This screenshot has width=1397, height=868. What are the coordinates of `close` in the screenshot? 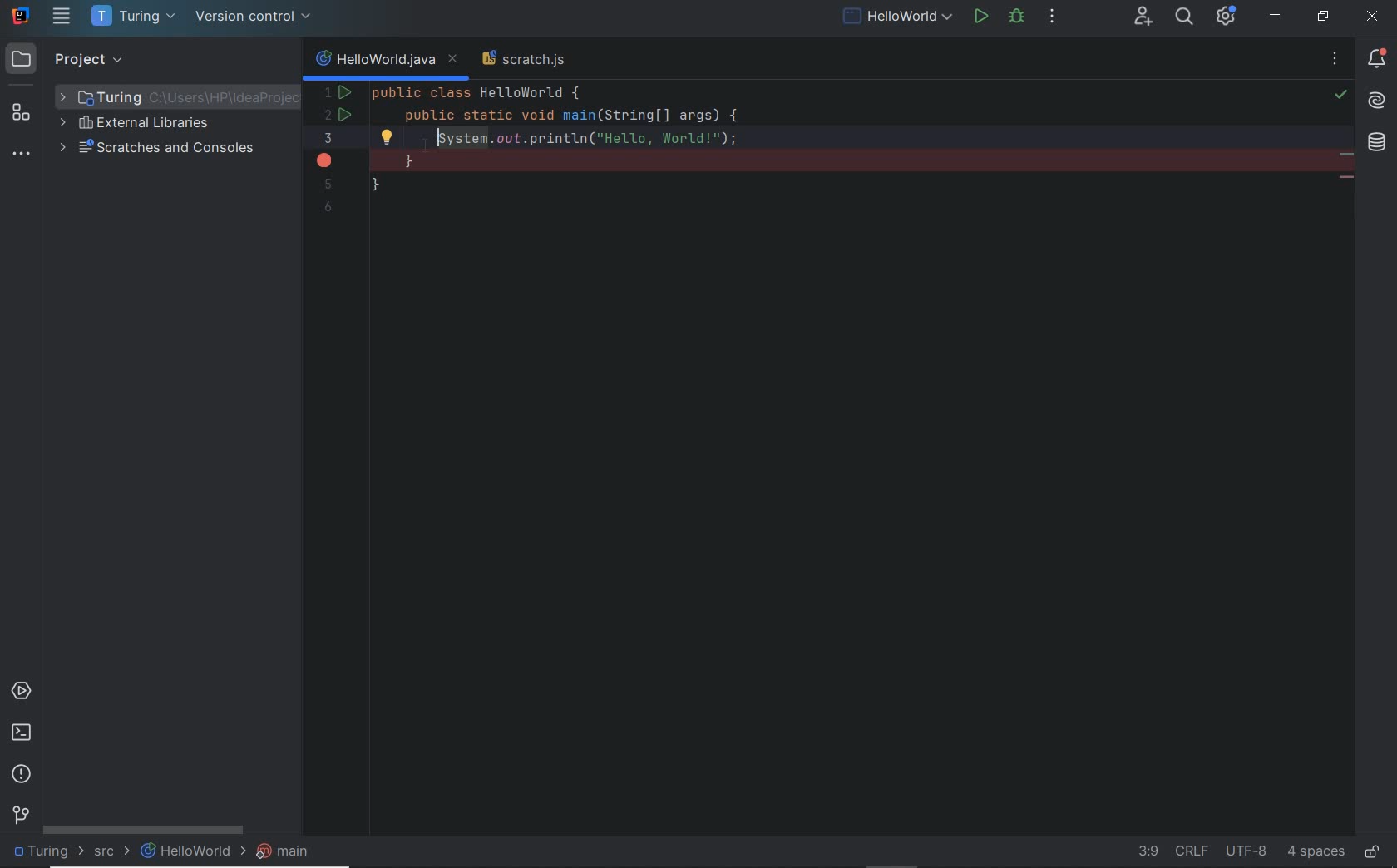 It's located at (1373, 17).